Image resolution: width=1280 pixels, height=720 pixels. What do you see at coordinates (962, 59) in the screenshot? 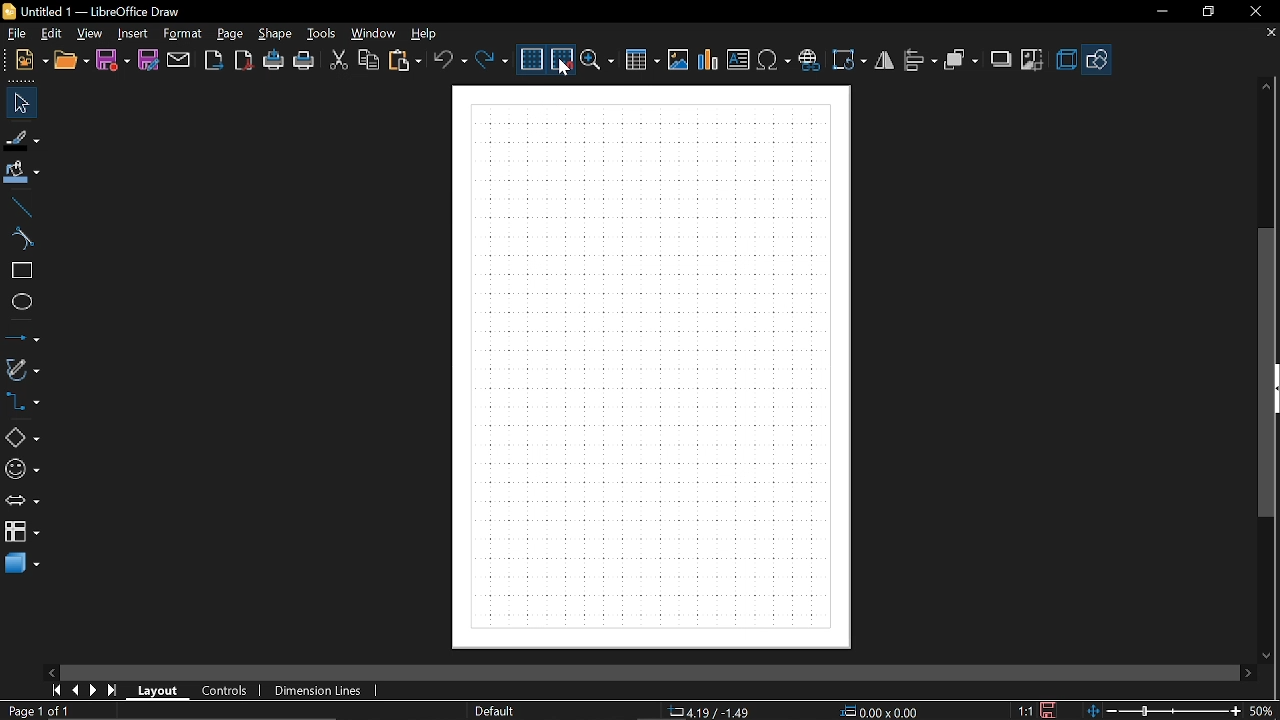
I see `arrange` at bounding box center [962, 59].